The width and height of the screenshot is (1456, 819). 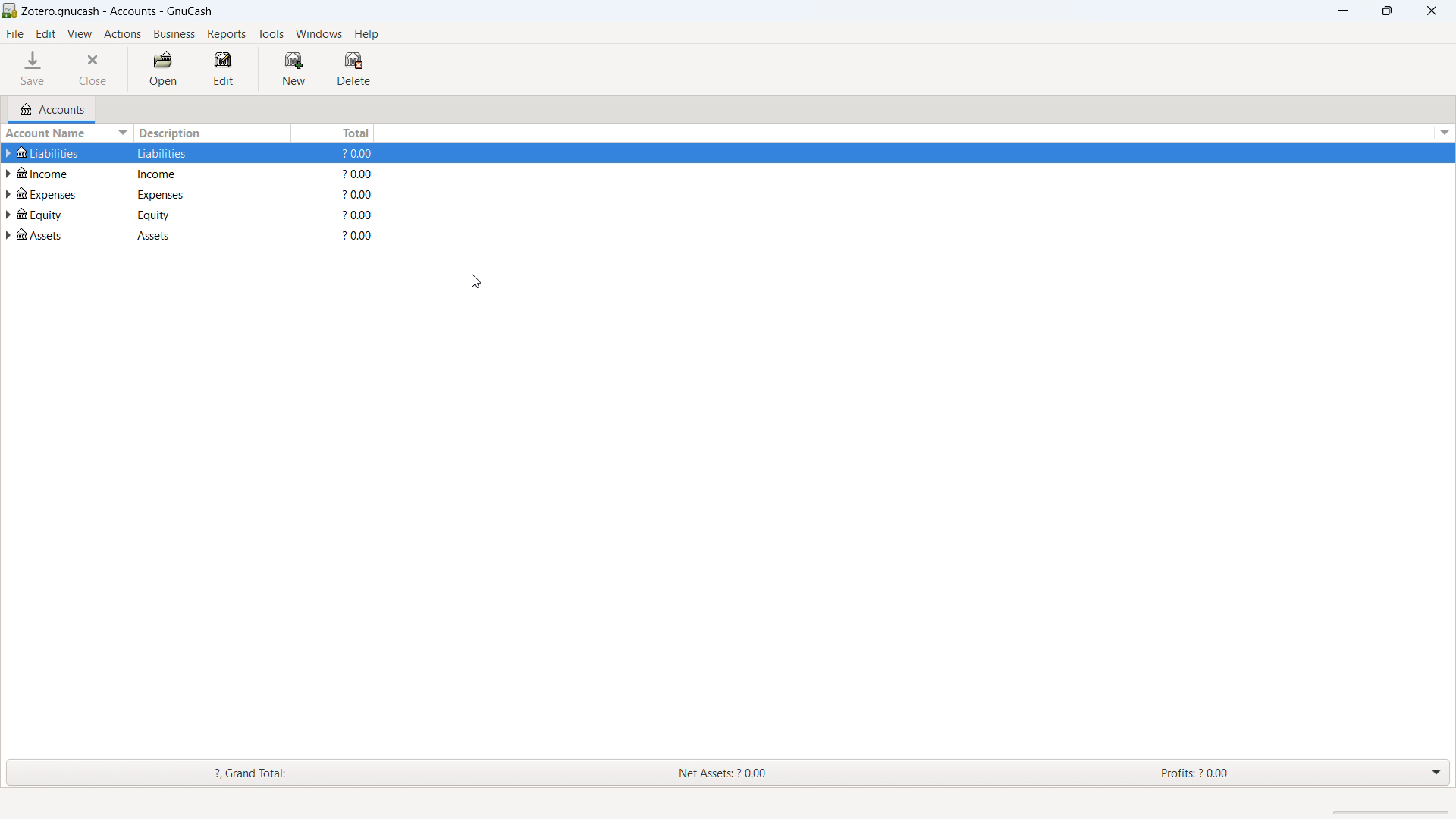 I want to click on income, so click(x=54, y=173).